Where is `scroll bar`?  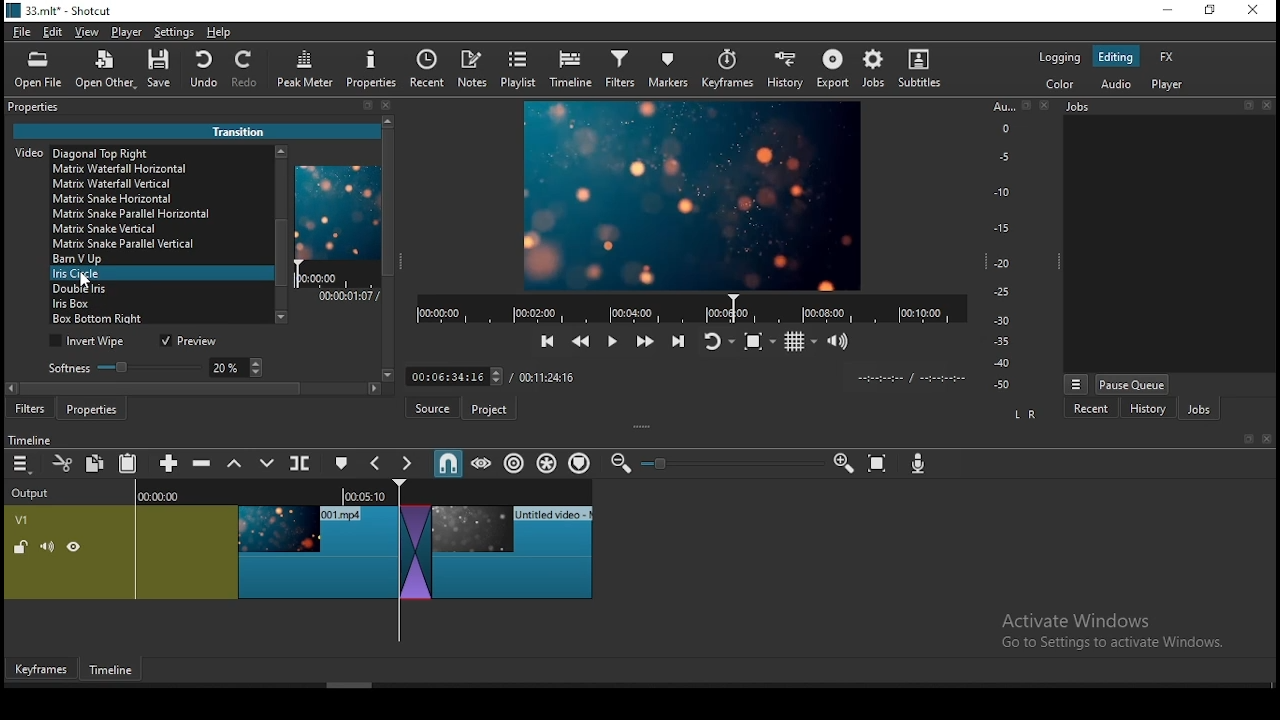
scroll bar is located at coordinates (201, 391).